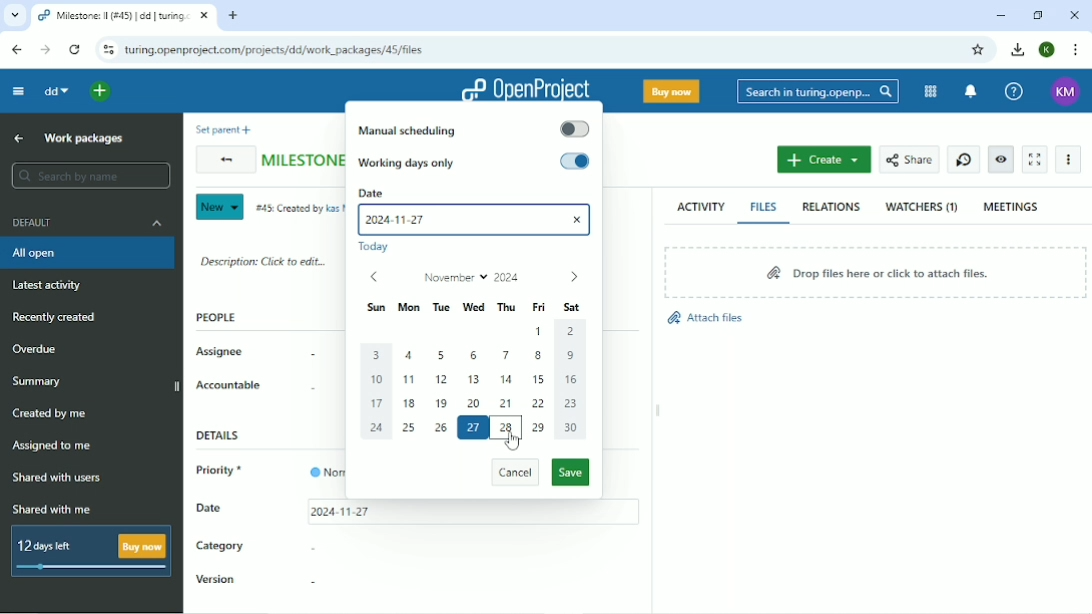 This screenshot has height=614, width=1092. I want to click on Accountable, so click(229, 385).